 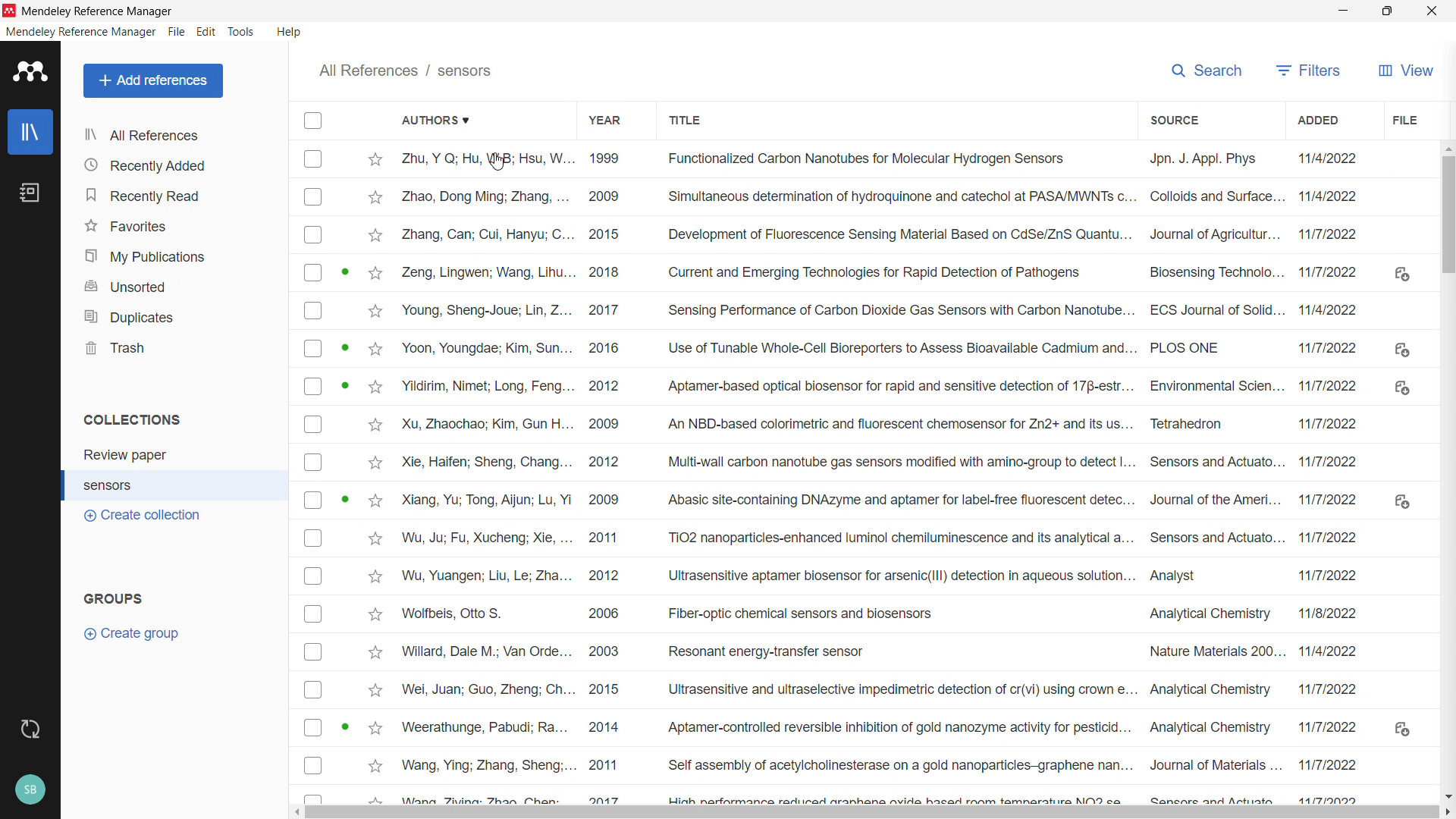 What do you see at coordinates (1447, 813) in the screenshot?
I see `Scroll right ` at bounding box center [1447, 813].